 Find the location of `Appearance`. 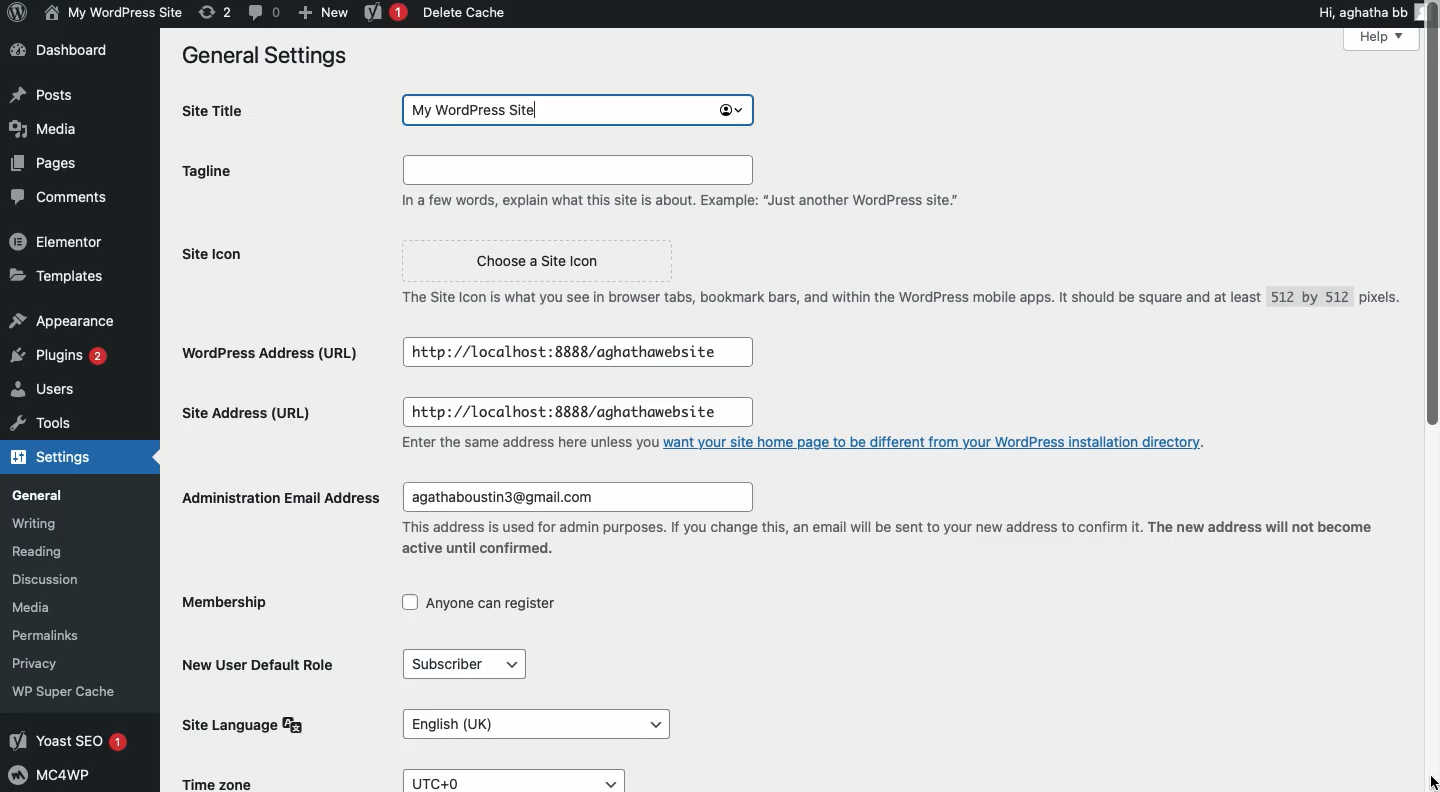

Appearance is located at coordinates (67, 318).